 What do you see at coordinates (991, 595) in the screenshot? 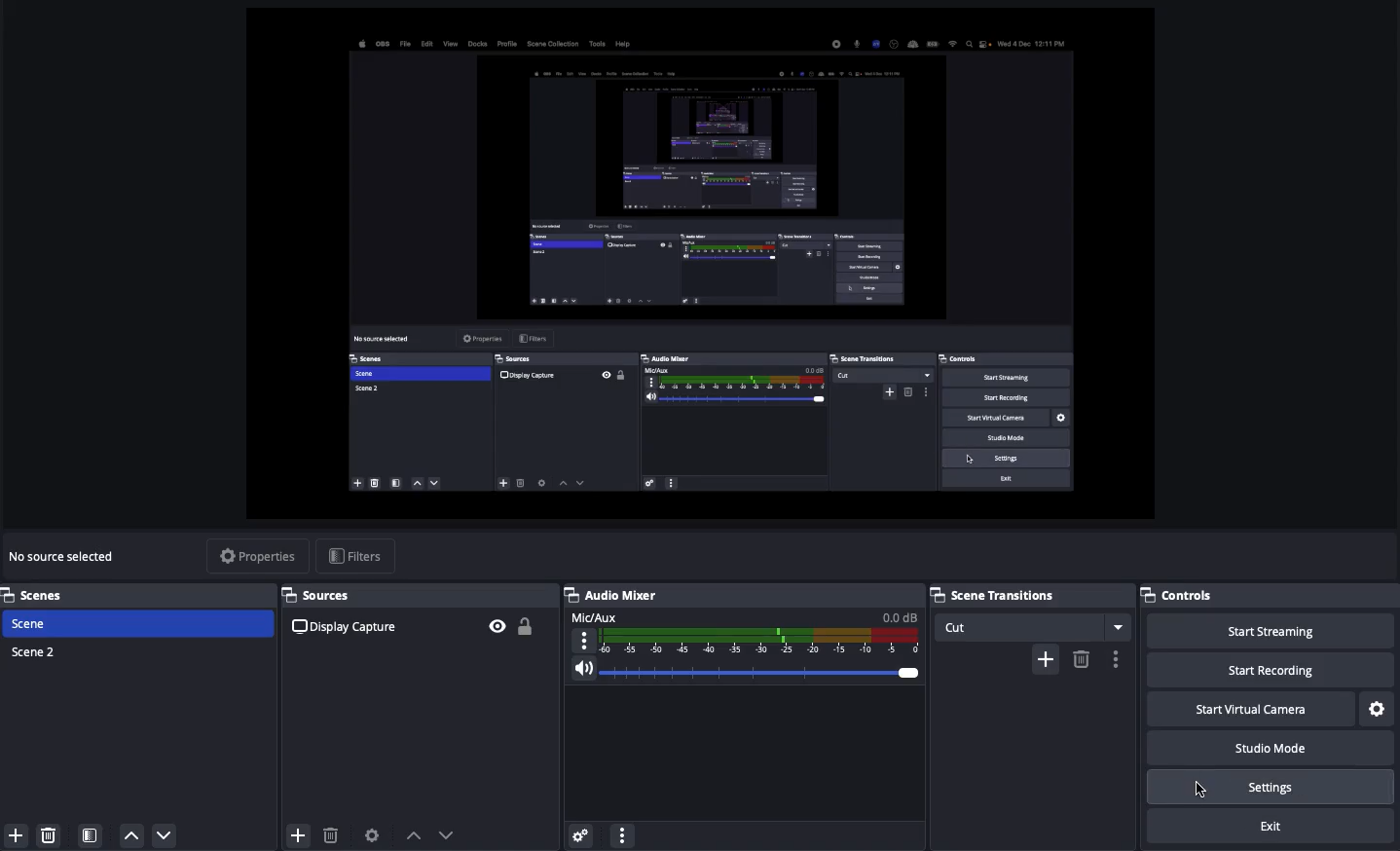
I see `Scene transitions` at bounding box center [991, 595].